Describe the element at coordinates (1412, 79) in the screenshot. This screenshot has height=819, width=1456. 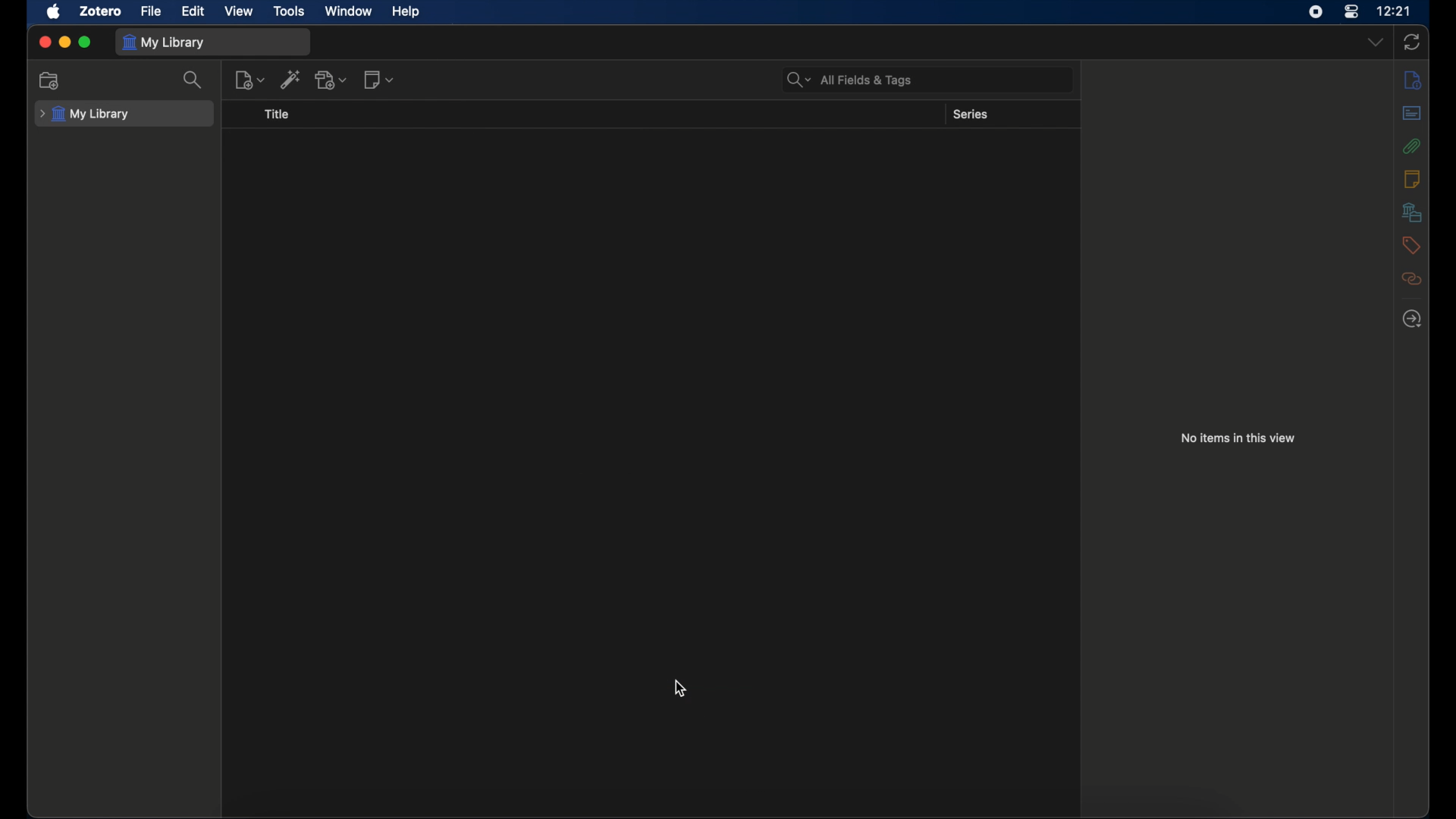
I see `info` at that location.